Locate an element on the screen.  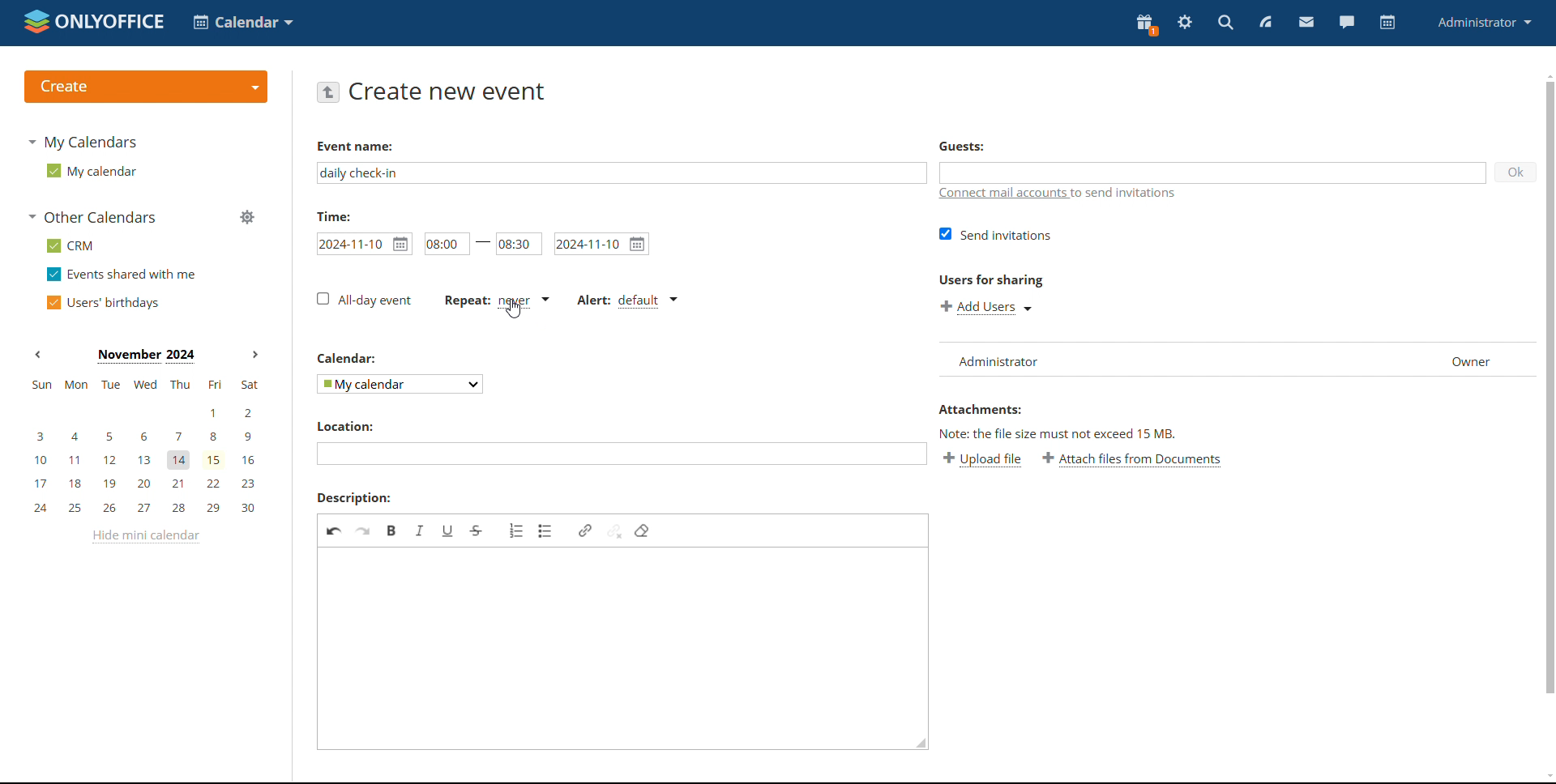
scroll up is located at coordinates (1546, 75).